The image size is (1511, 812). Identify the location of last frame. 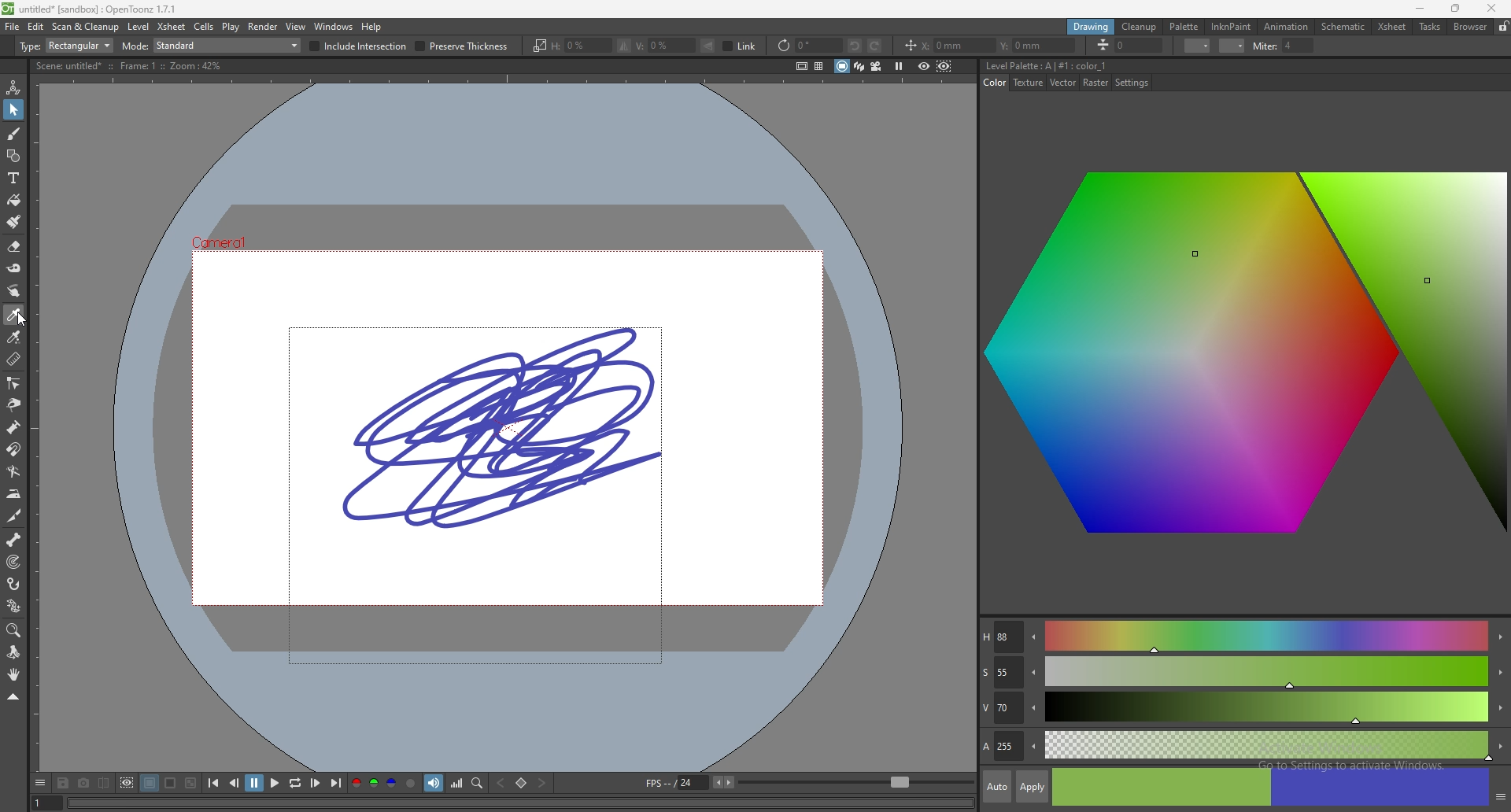
(334, 783).